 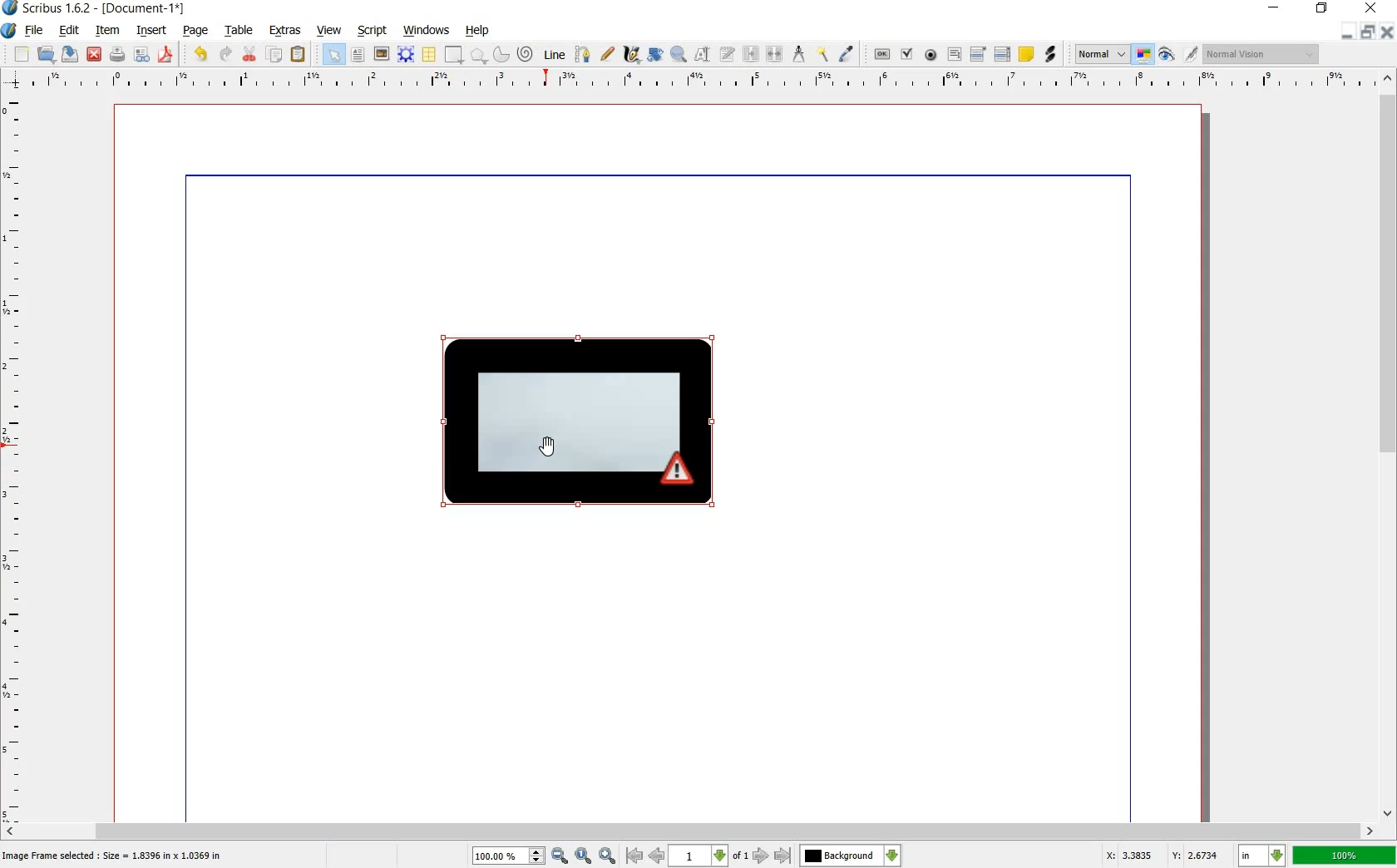 What do you see at coordinates (1260, 55) in the screenshot?
I see `visual appearance of the display` at bounding box center [1260, 55].